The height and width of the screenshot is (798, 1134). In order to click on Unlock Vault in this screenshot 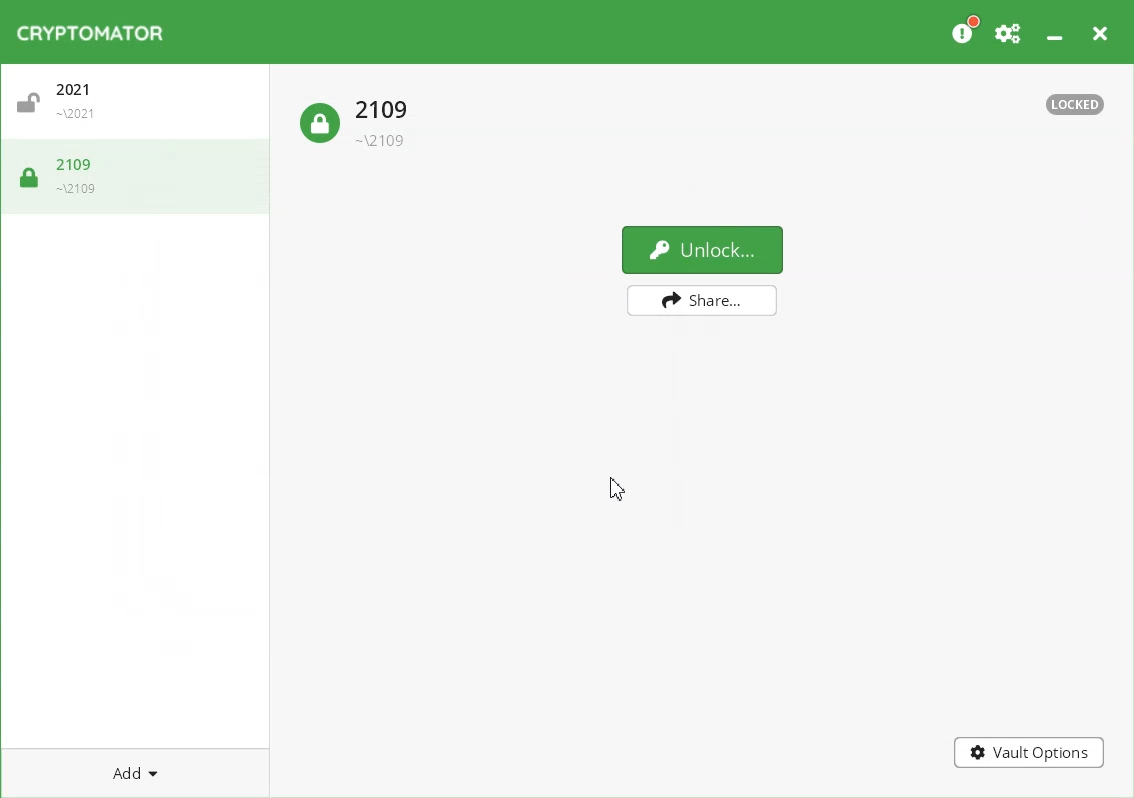, I will do `click(140, 106)`.